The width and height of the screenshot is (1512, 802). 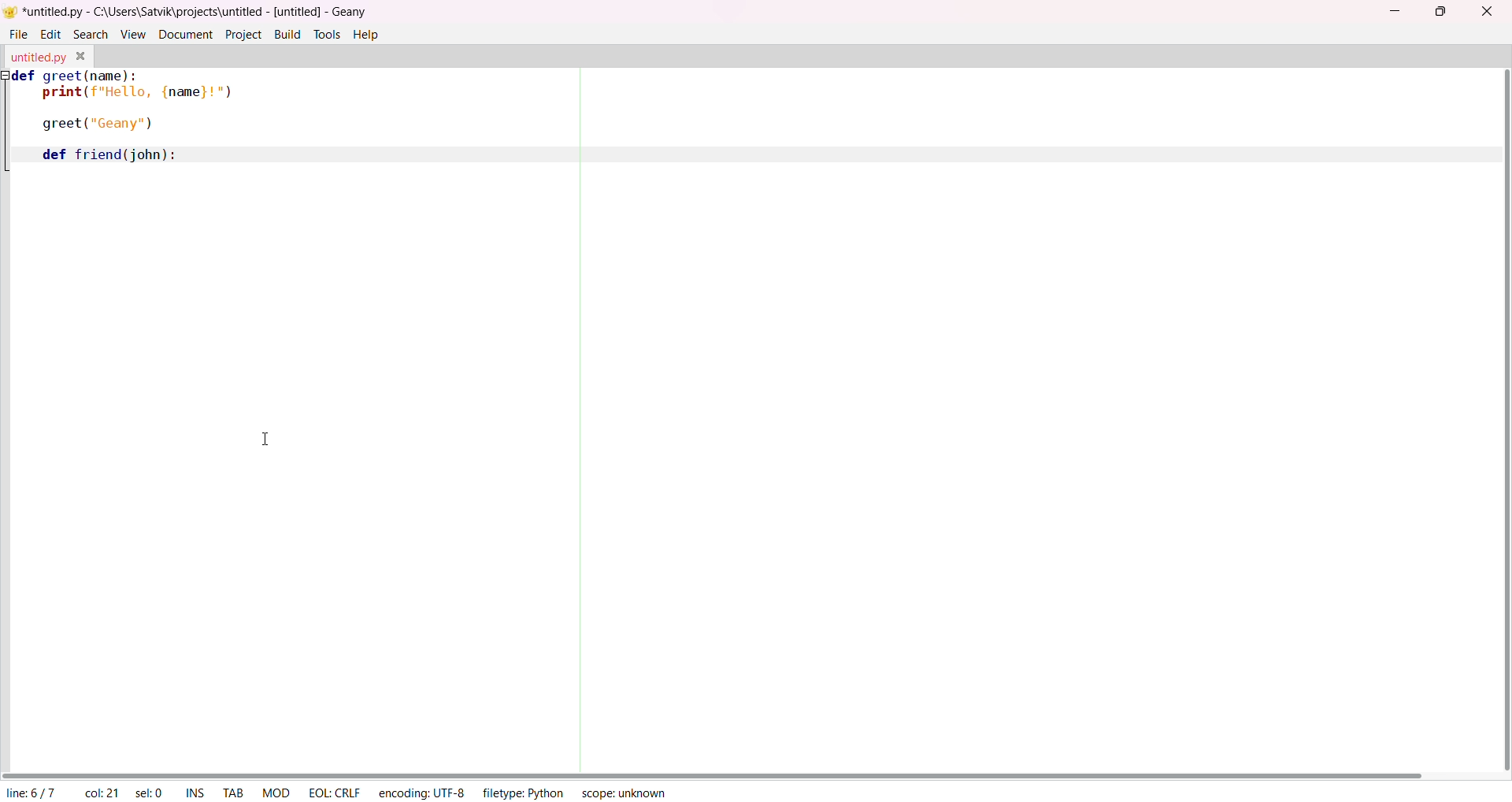 I want to click on EOL> CRLF, so click(x=333, y=793).